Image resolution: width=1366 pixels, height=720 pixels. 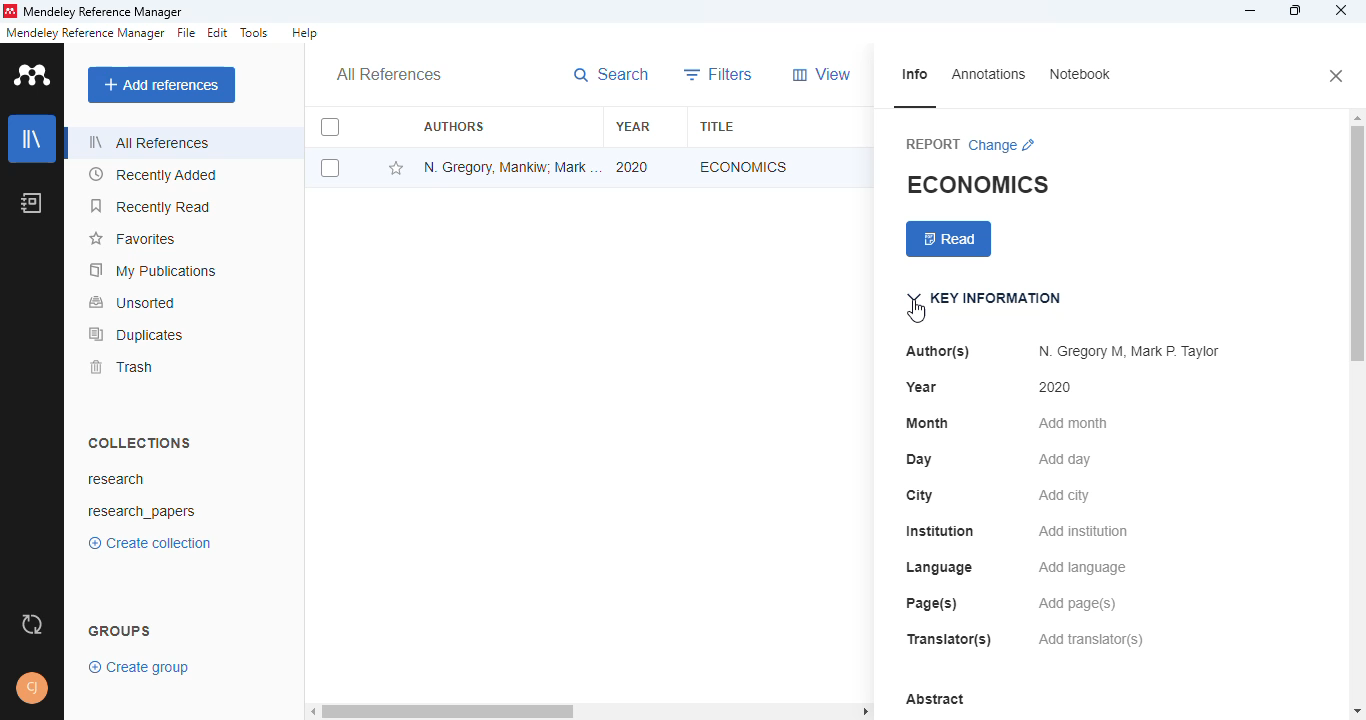 I want to click on sync, so click(x=32, y=623).